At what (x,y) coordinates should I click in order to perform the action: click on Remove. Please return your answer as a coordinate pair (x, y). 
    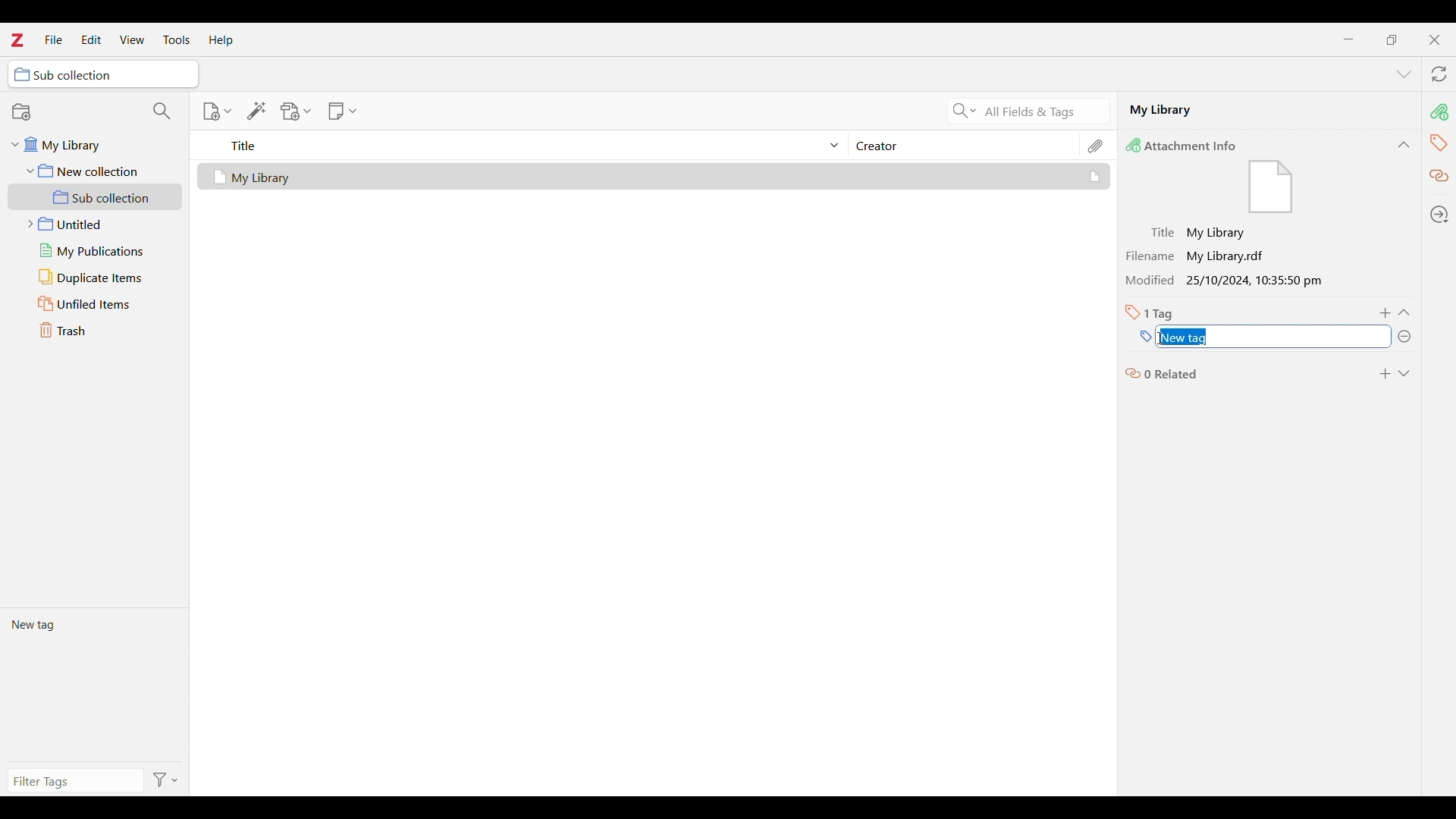
    Looking at the image, I should click on (1404, 337).